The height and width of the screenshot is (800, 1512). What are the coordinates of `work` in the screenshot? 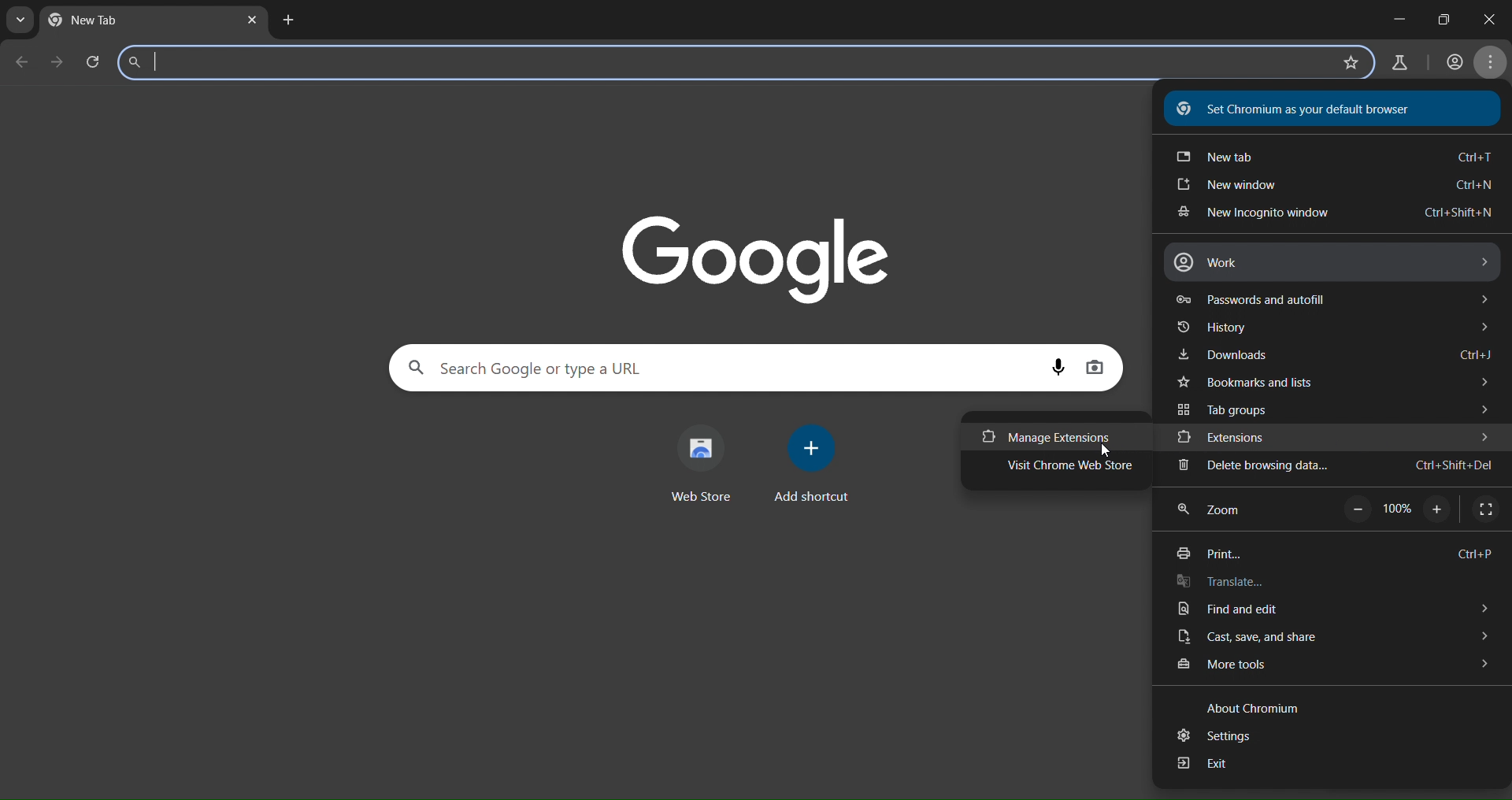 It's located at (1333, 264).